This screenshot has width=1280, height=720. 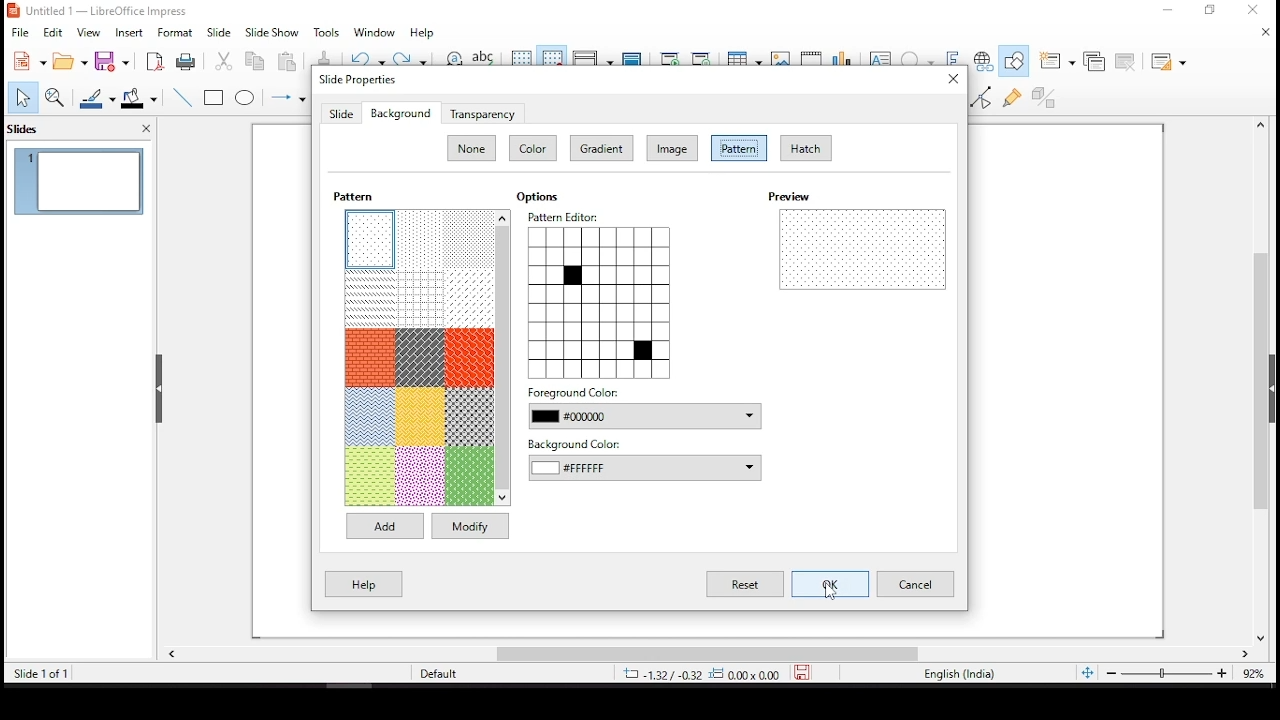 What do you see at coordinates (421, 298) in the screenshot?
I see `pattern` at bounding box center [421, 298].